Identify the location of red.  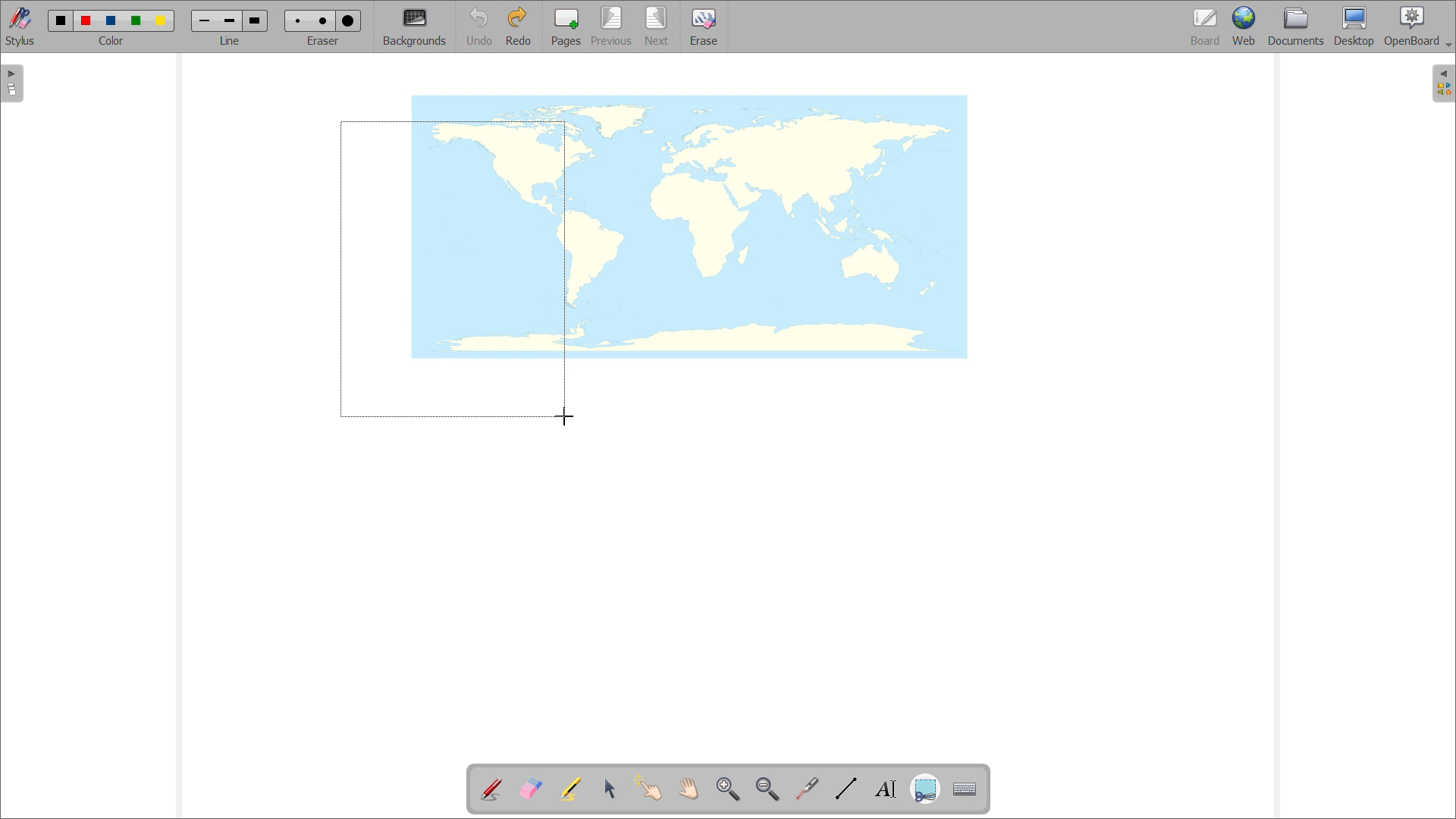
(86, 20).